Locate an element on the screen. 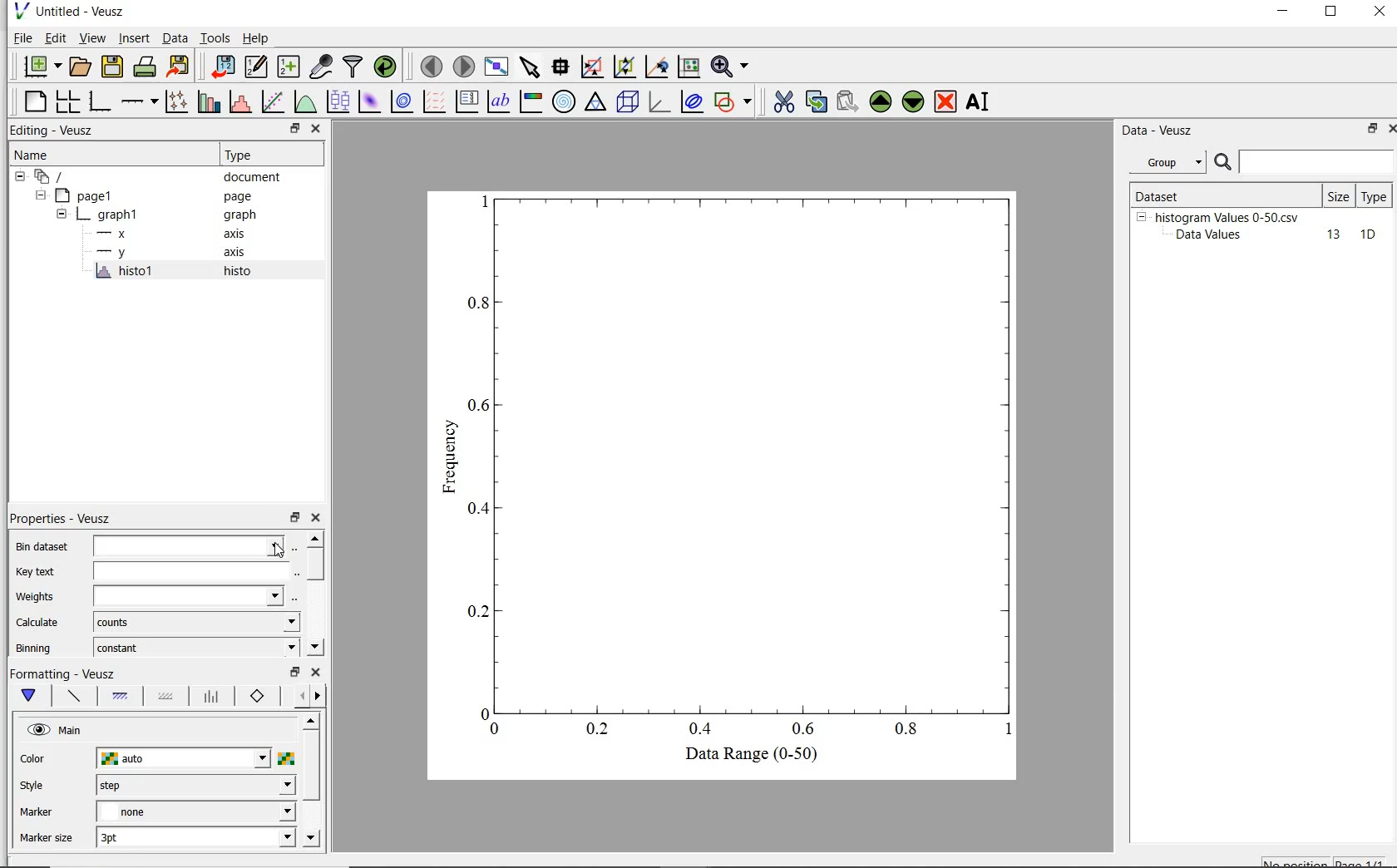 This screenshot has width=1397, height=868. Data Range (0-50) is located at coordinates (754, 755).